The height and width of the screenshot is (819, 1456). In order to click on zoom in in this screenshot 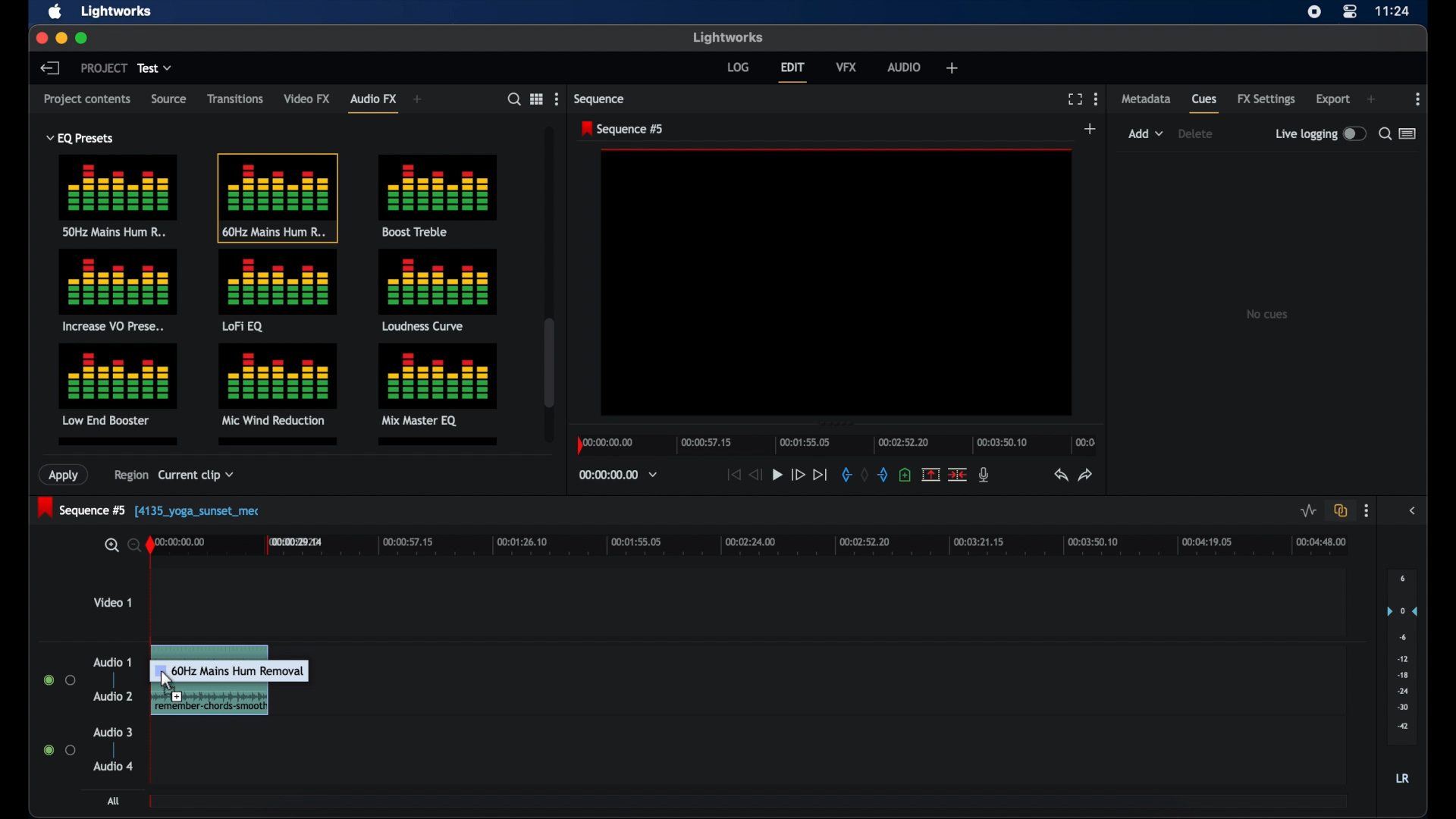, I will do `click(109, 545)`.